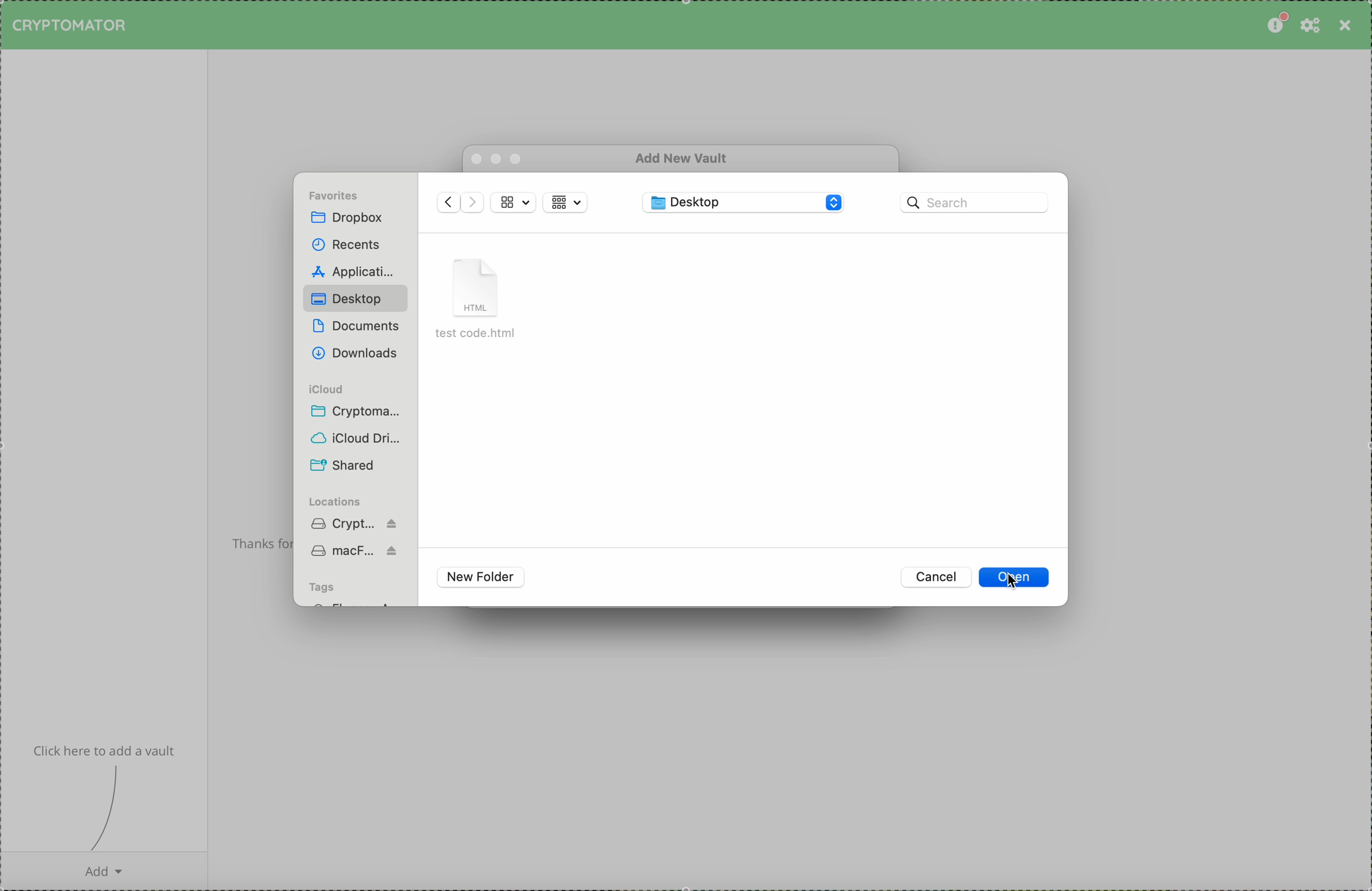 The image size is (1372, 891). What do you see at coordinates (1276, 24) in the screenshot?
I see `please consider donating` at bounding box center [1276, 24].